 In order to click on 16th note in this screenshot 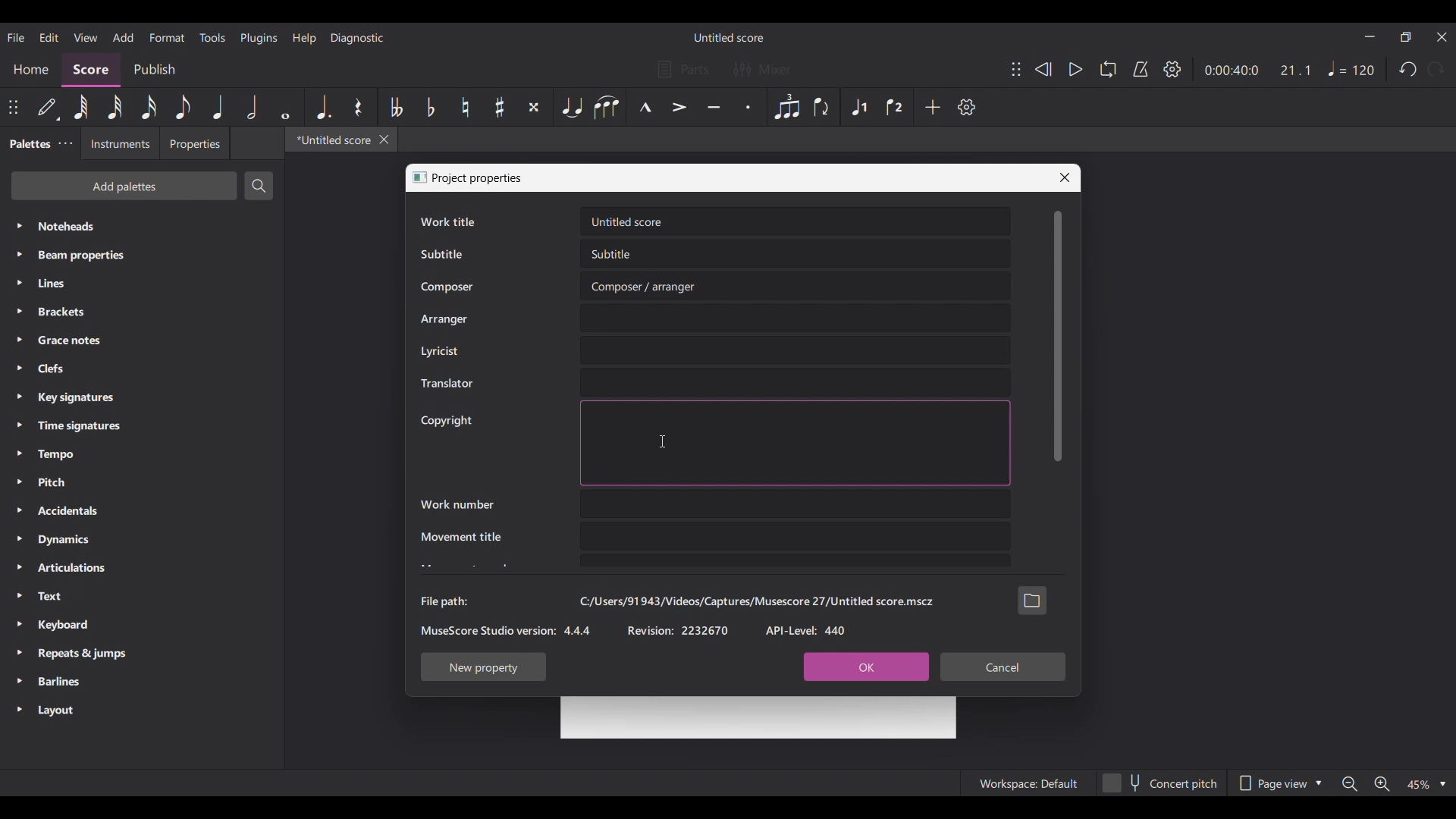, I will do `click(149, 107)`.